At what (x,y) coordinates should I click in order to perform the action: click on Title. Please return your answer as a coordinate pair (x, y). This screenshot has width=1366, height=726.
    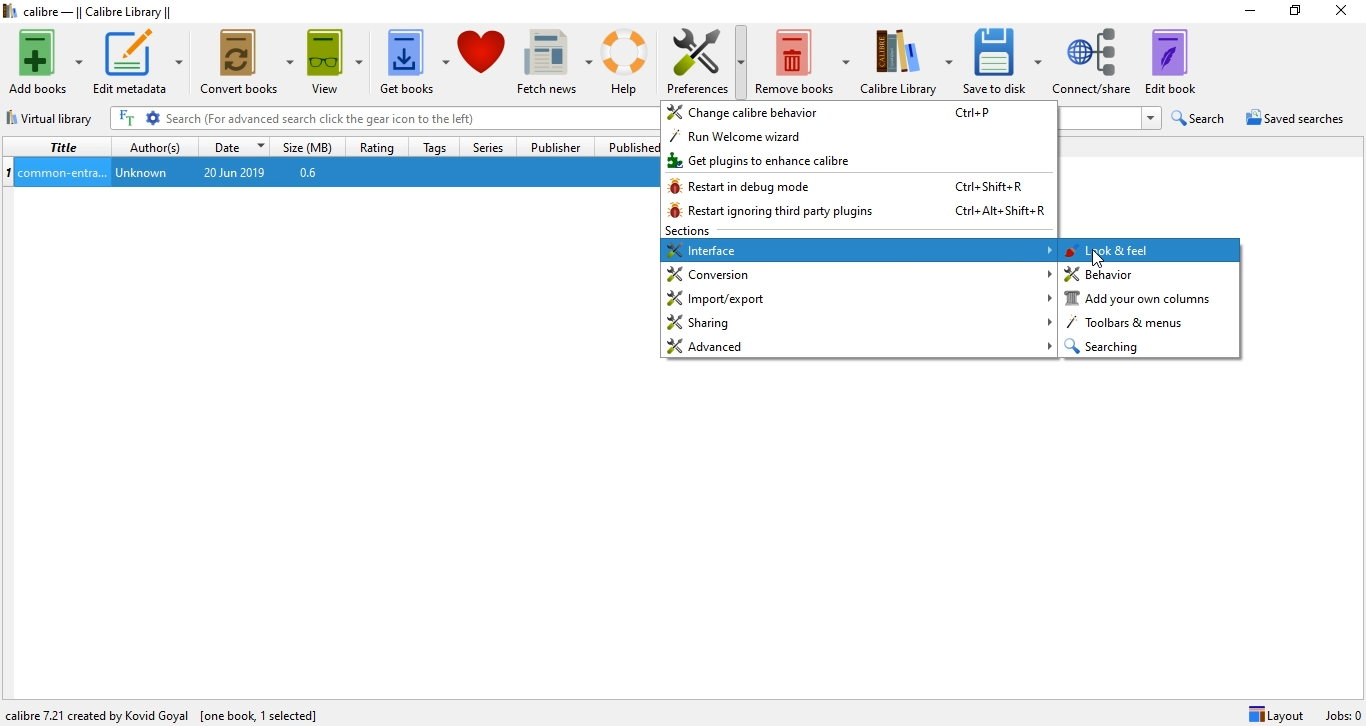
    Looking at the image, I should click on (60, 147).